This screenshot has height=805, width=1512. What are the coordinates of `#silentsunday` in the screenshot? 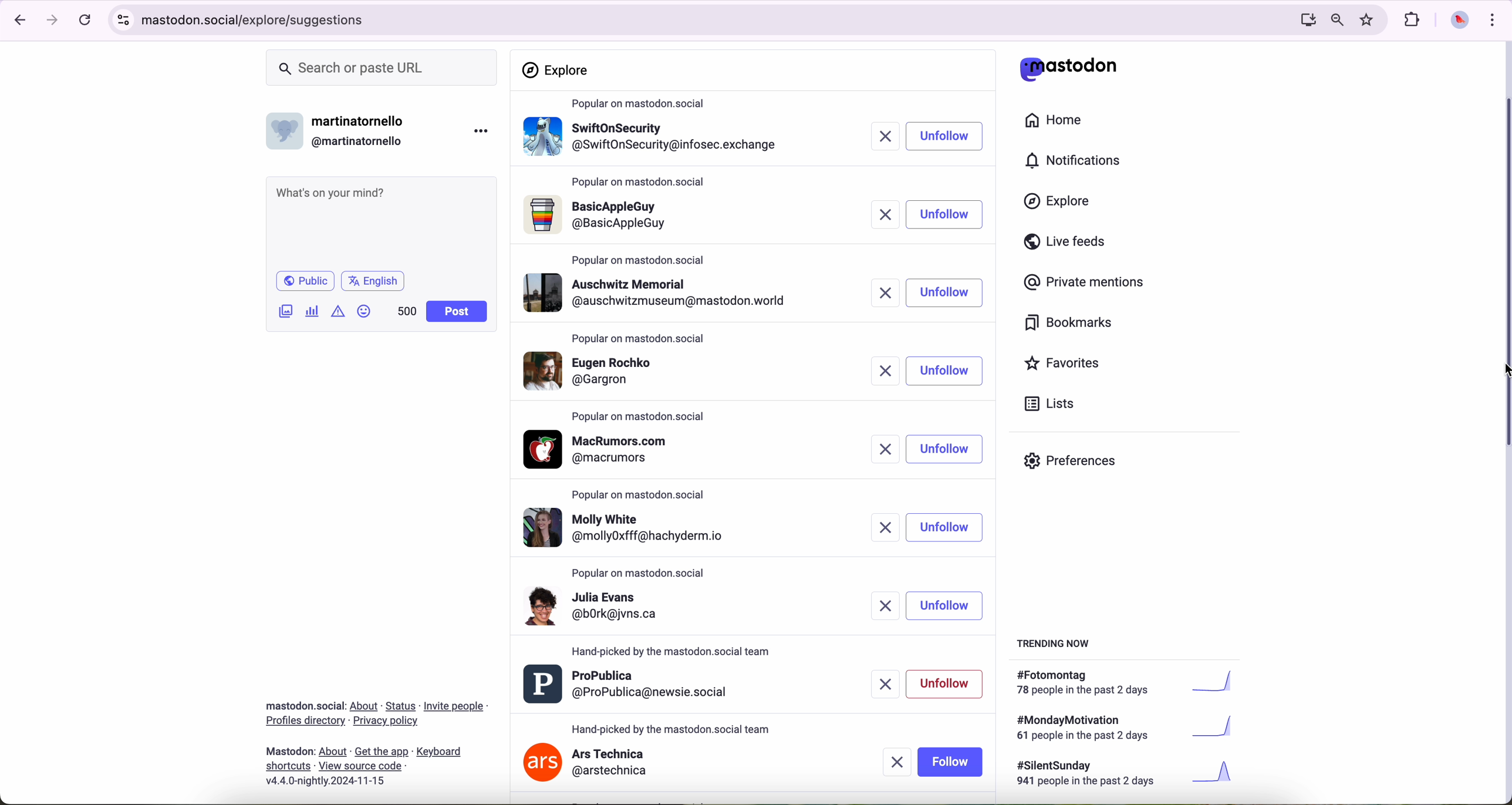 It's located at (1128, 775).